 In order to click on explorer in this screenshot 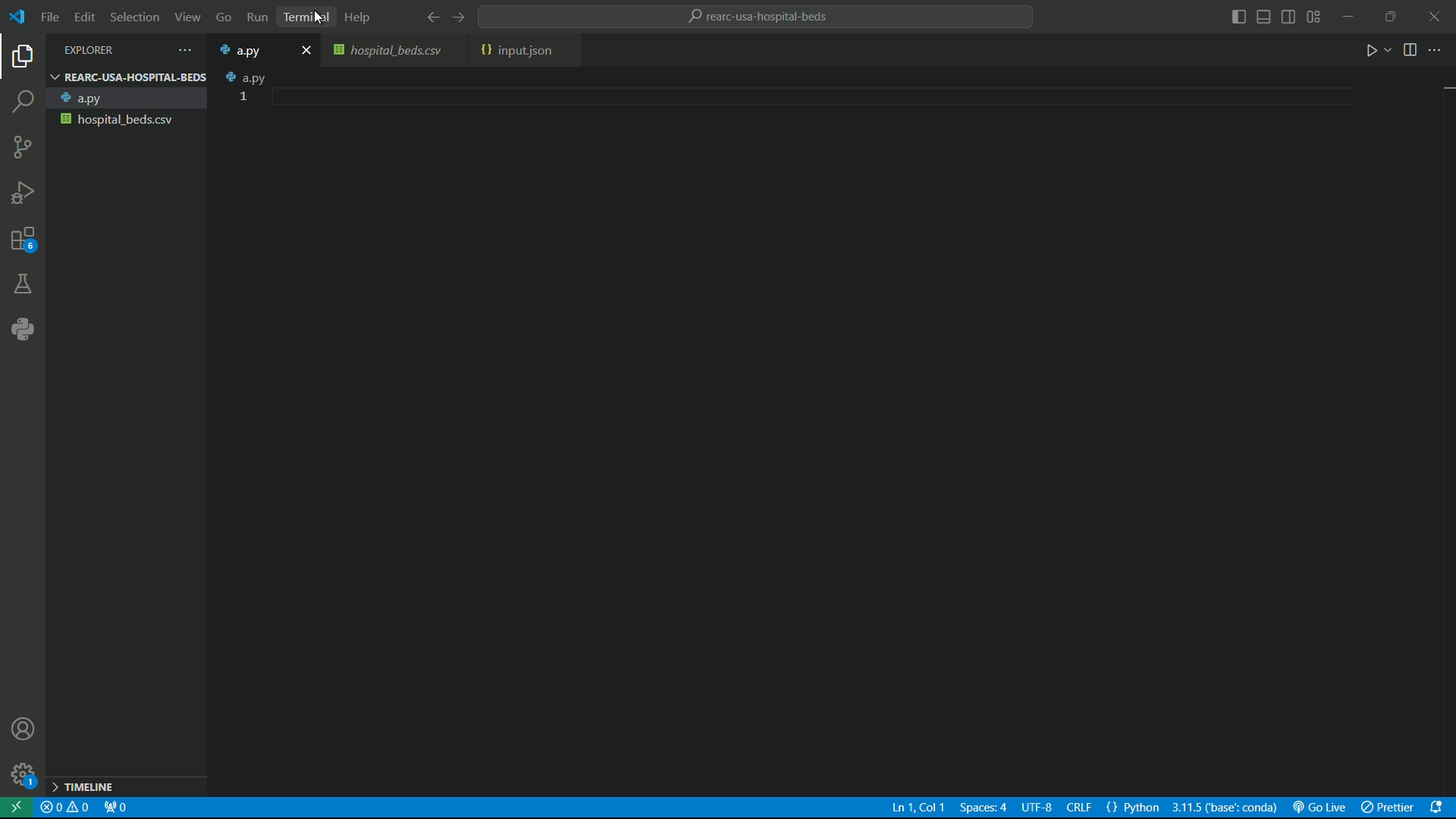, I will do `click(21, 58)`.